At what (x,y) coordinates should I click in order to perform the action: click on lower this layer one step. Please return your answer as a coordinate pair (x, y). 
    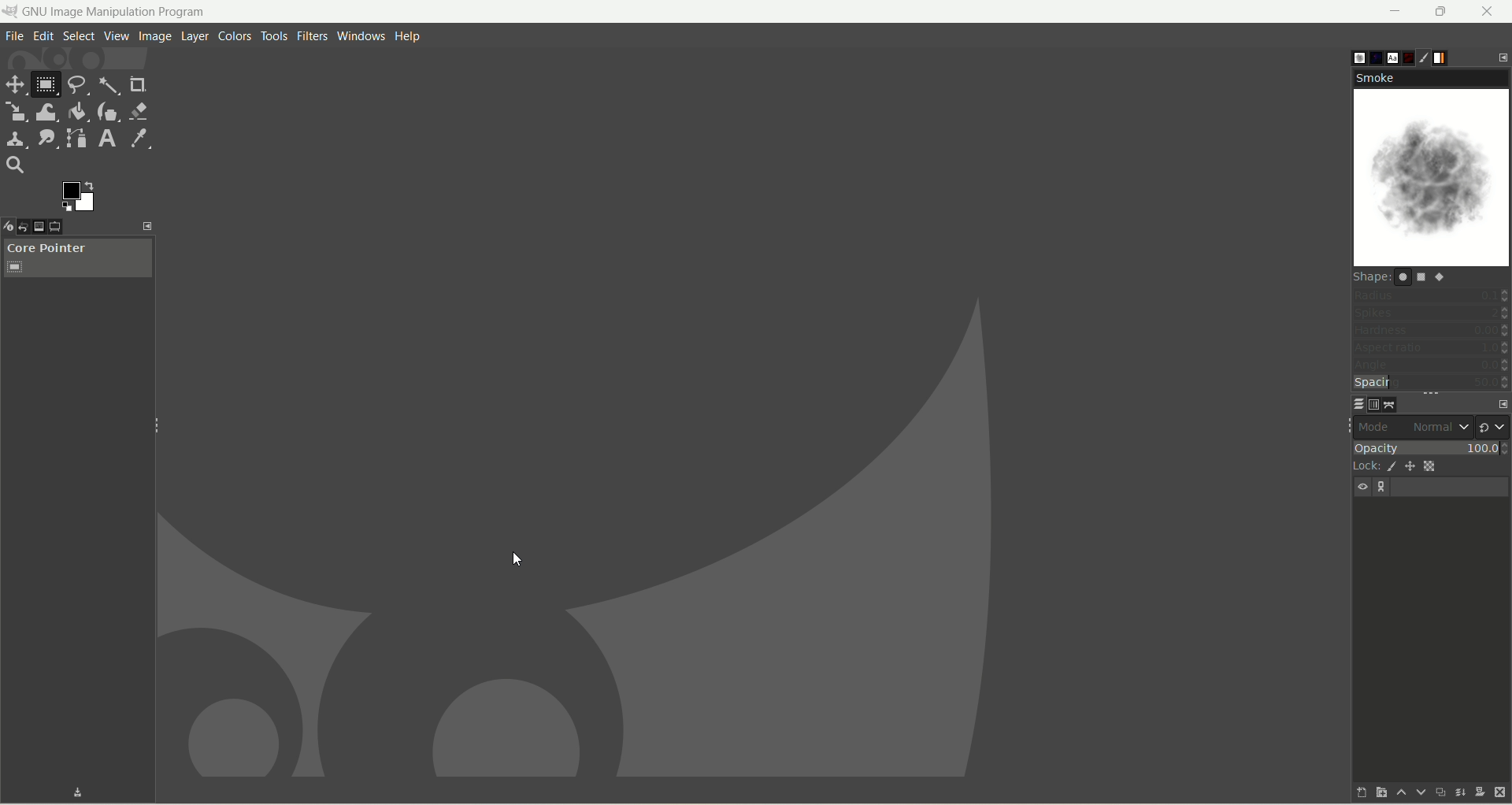
    Looking at the image, I should click on (1414, 792).